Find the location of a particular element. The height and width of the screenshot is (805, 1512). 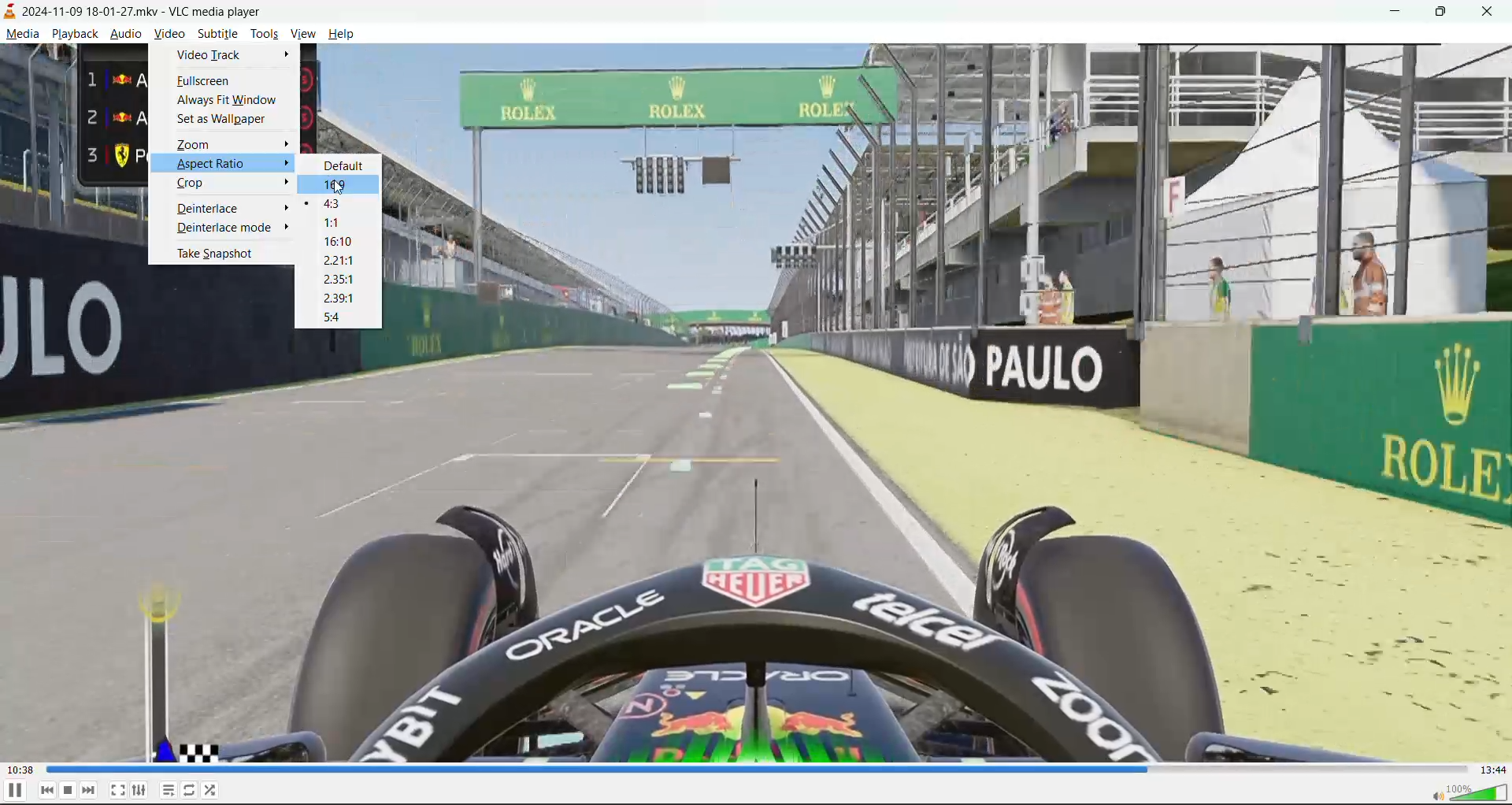

take snapshot is located at coordinates (220, 254).